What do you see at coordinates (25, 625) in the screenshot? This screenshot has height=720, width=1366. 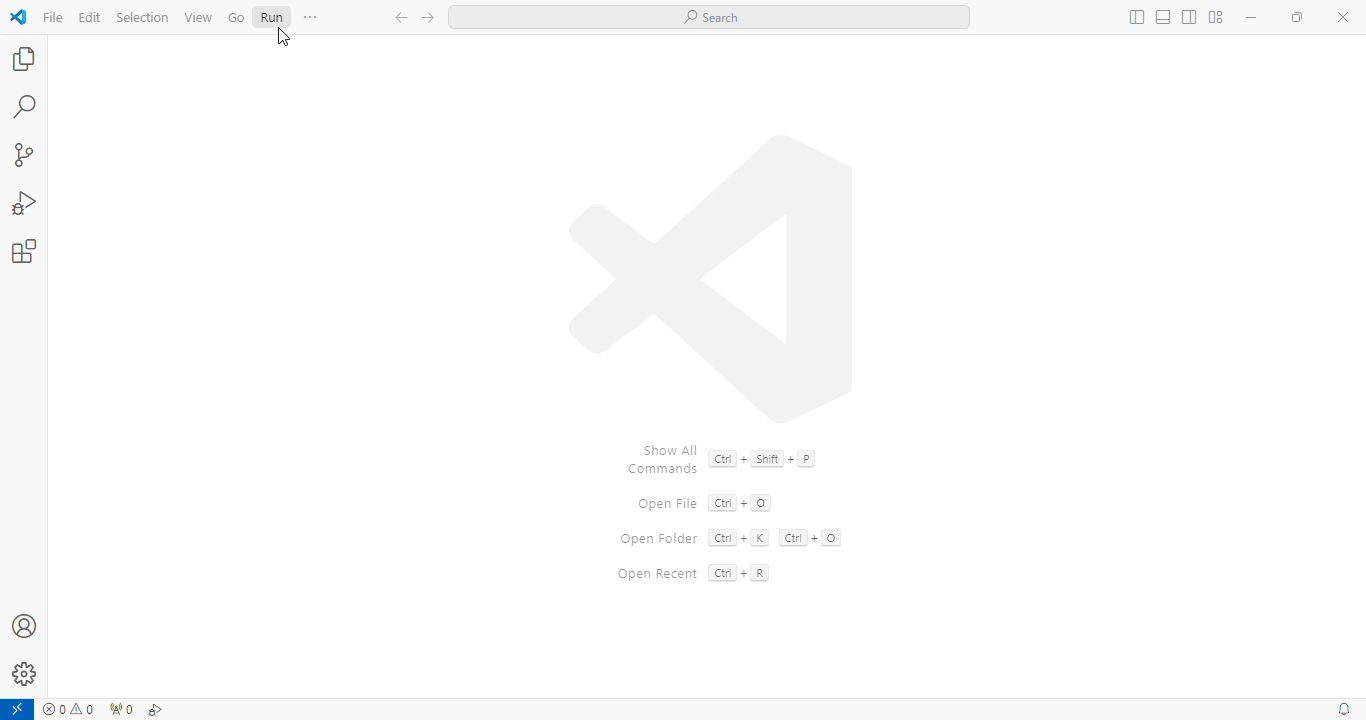 I see `accounts` at bounding box center [25, 625].